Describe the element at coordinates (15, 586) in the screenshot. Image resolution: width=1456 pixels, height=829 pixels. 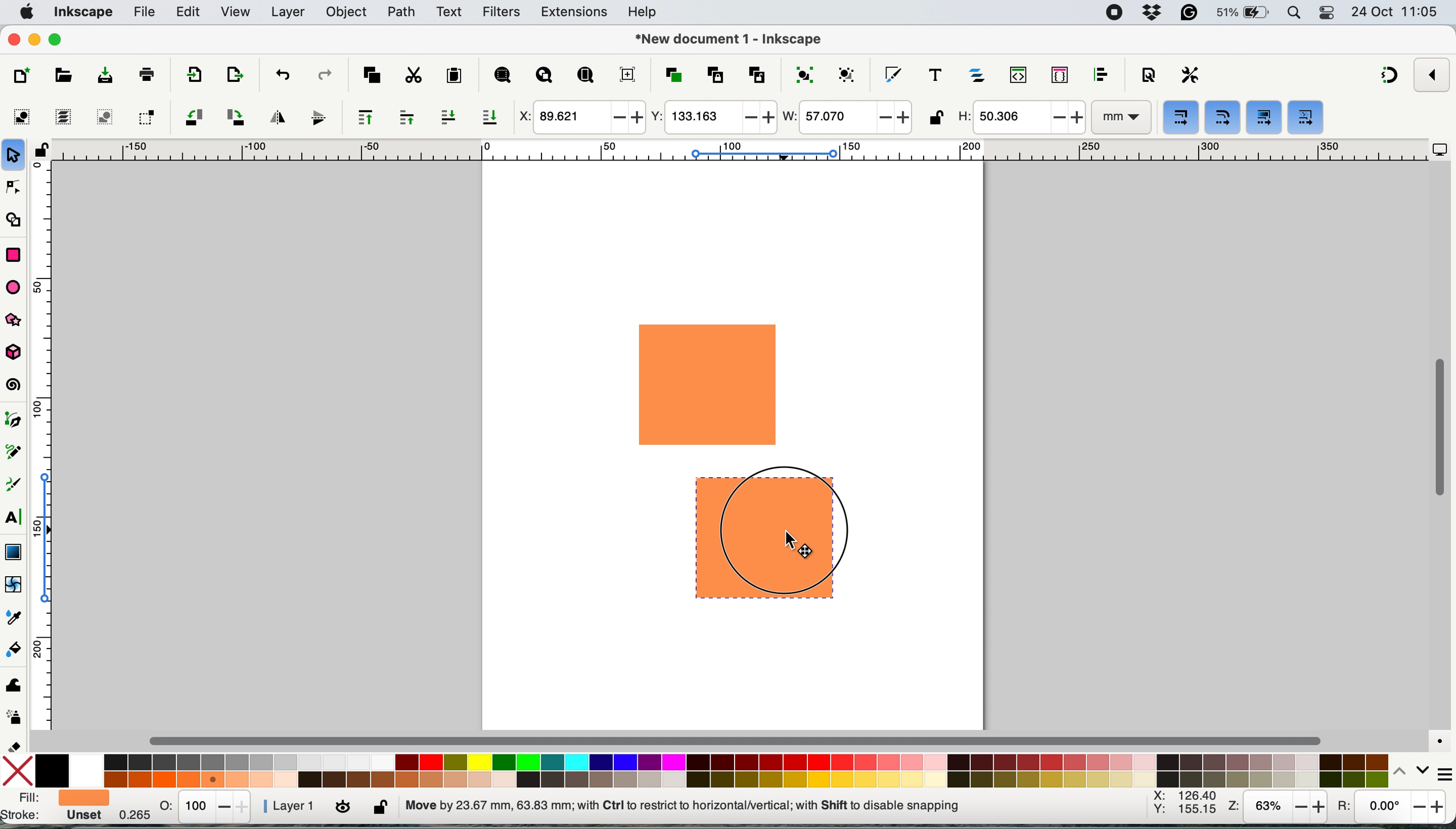
I see `mesh tool` at that location.